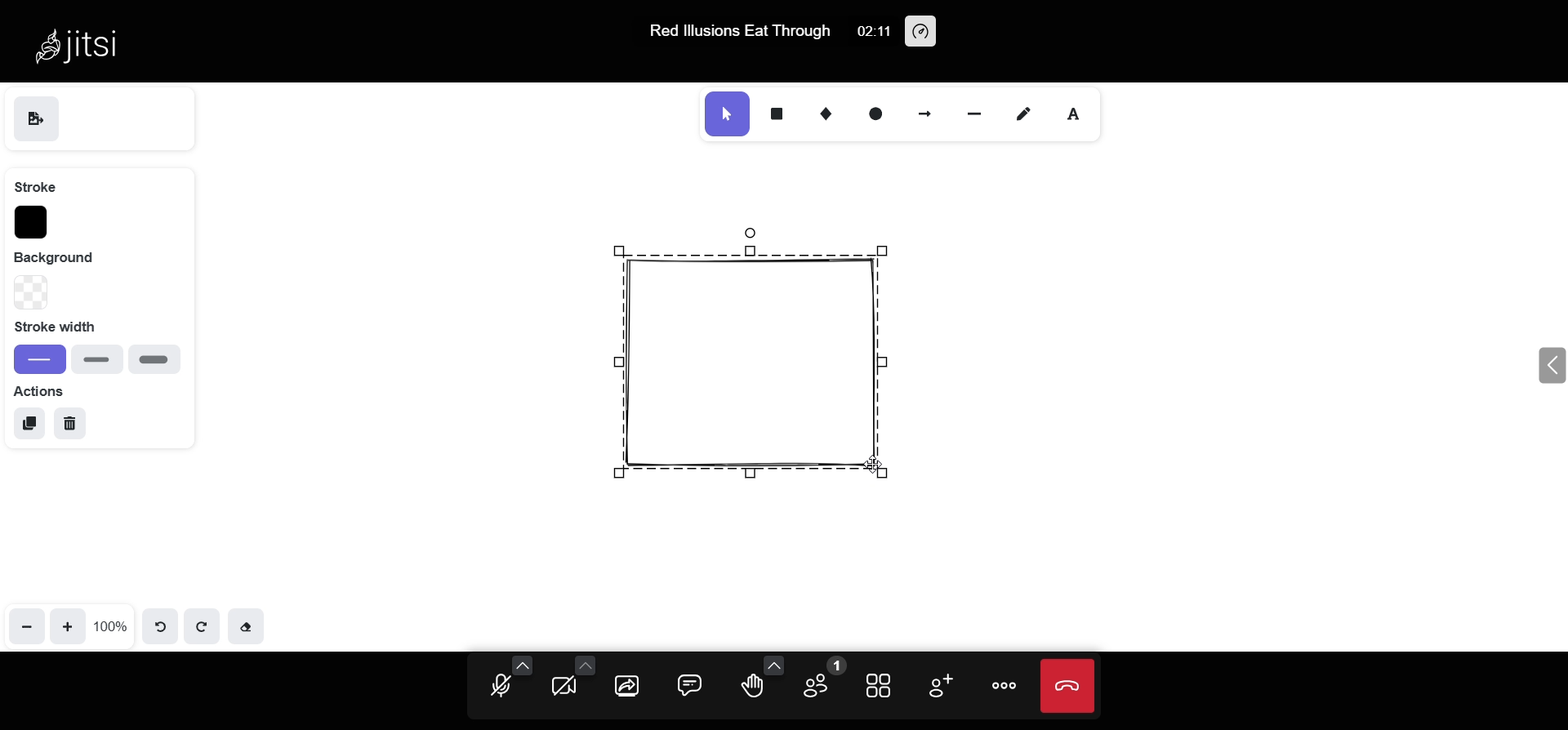  What do you see at coordinates (876, 111) in the screenshot?
I see `ellipse` at bounding box center [876, 111].